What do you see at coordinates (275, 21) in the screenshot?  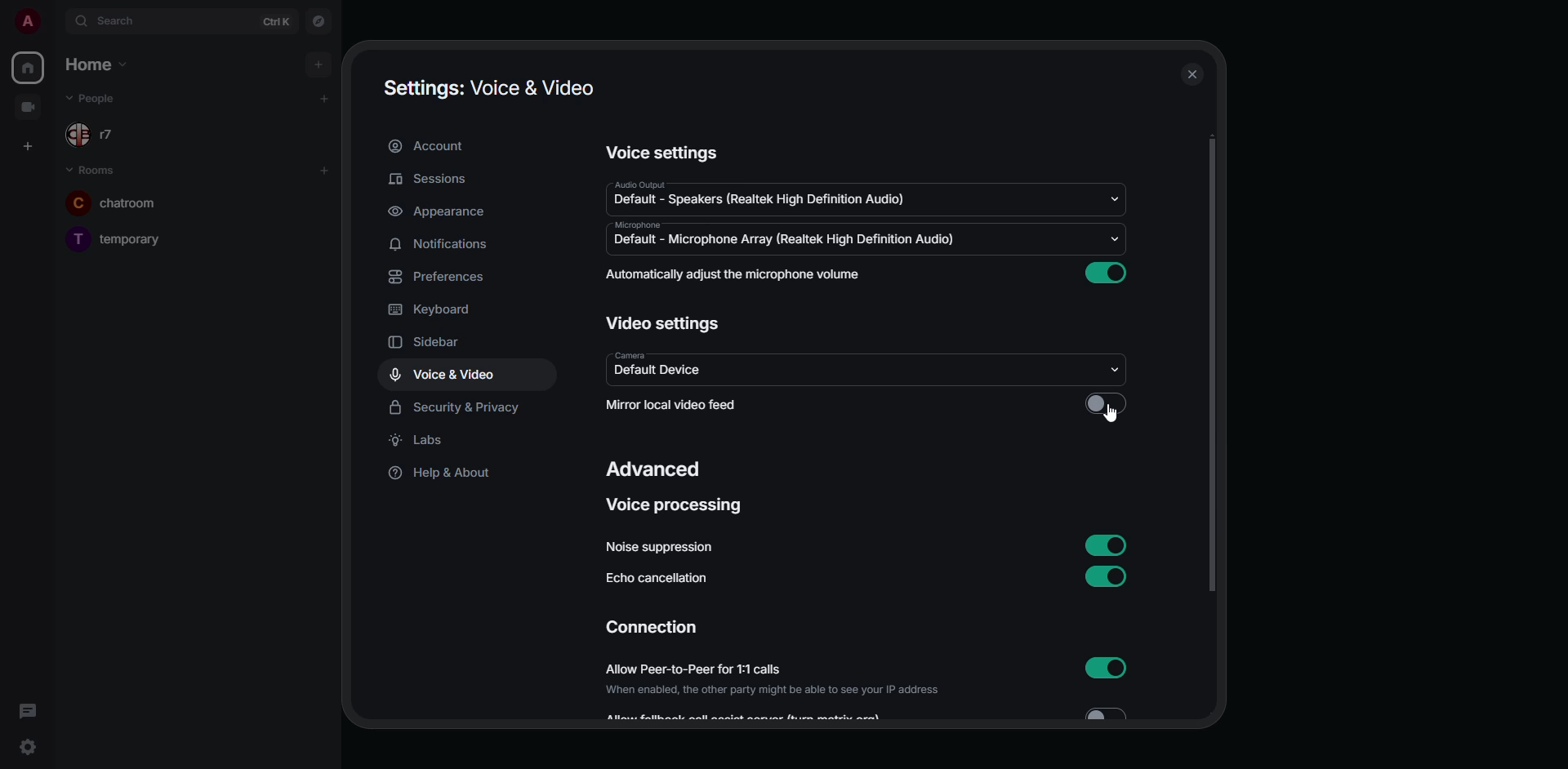 I see `ctrl K` at bounding box center [275, 21].